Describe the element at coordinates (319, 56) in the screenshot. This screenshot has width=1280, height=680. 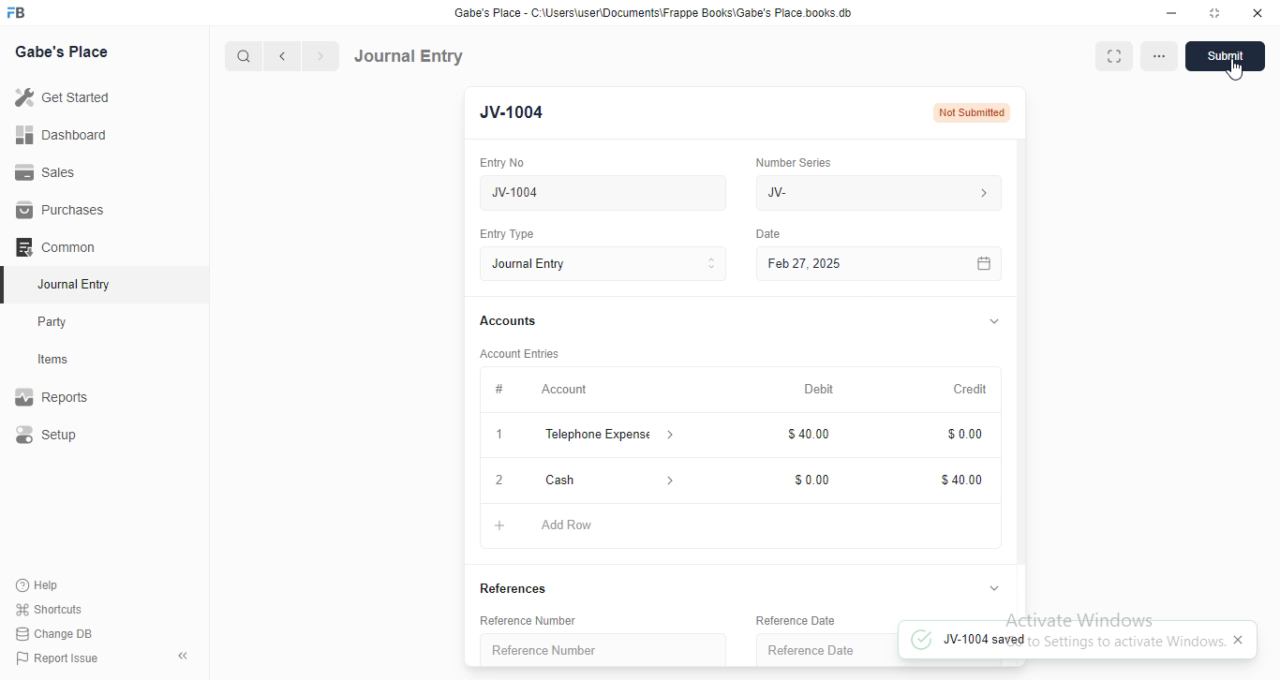
I see `Next` at that location.